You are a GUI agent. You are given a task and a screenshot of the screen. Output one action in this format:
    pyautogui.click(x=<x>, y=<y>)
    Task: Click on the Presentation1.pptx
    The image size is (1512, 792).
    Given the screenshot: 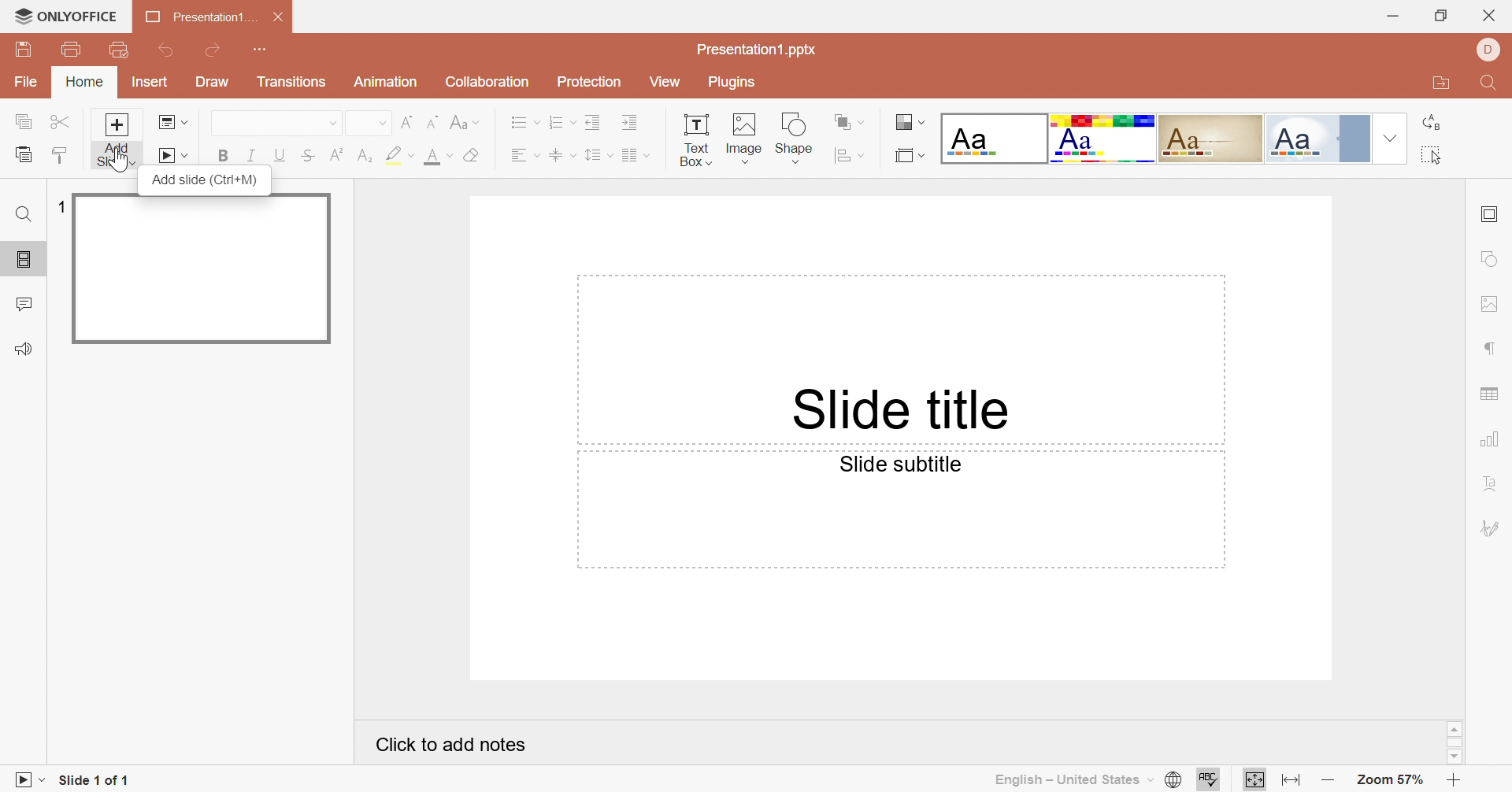 What is the action you would take?
    pyautogui.click(x=758, y=50)
    